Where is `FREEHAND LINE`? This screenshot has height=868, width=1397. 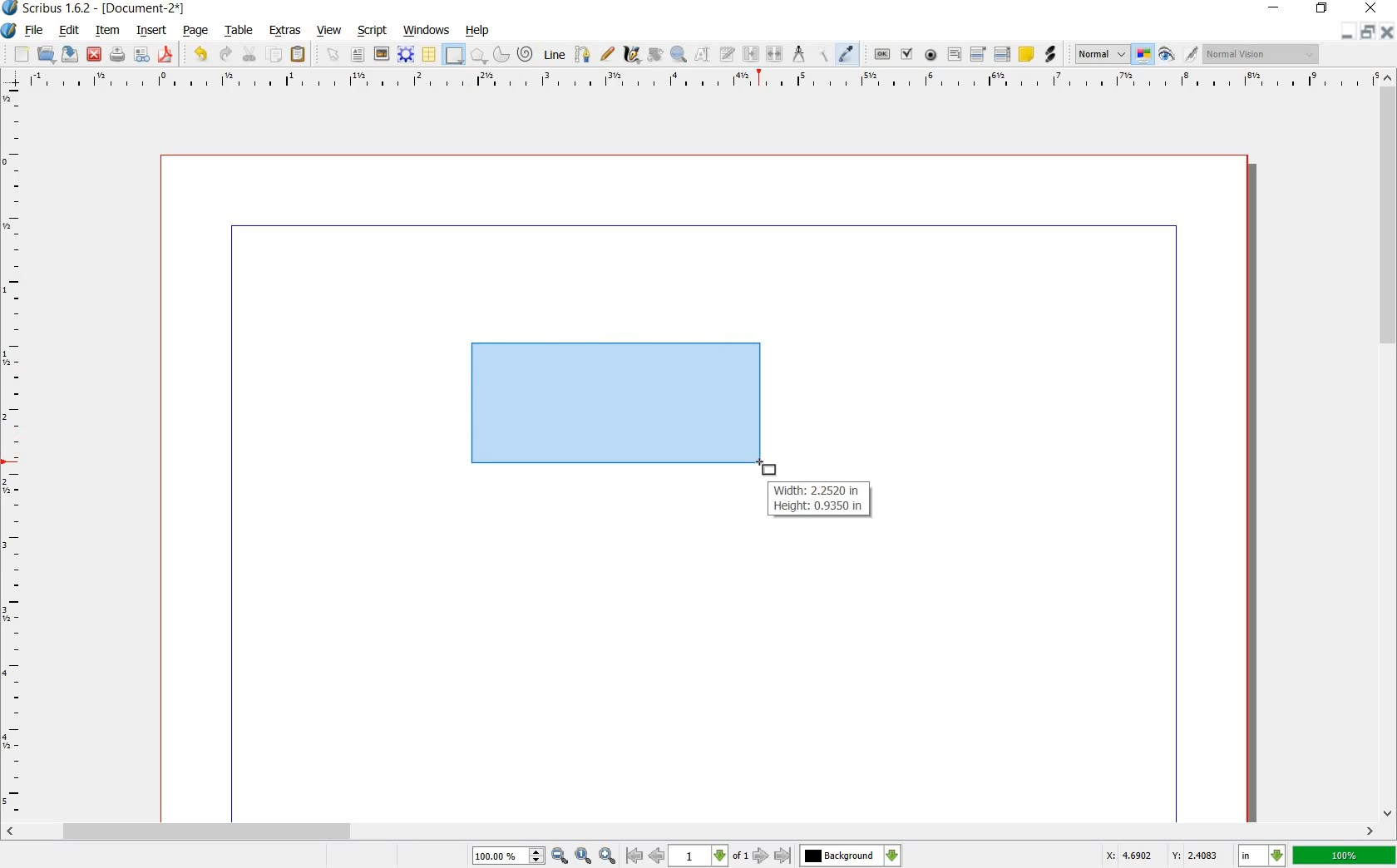 FREEHAND LINE is located at coordinates (608, 55).